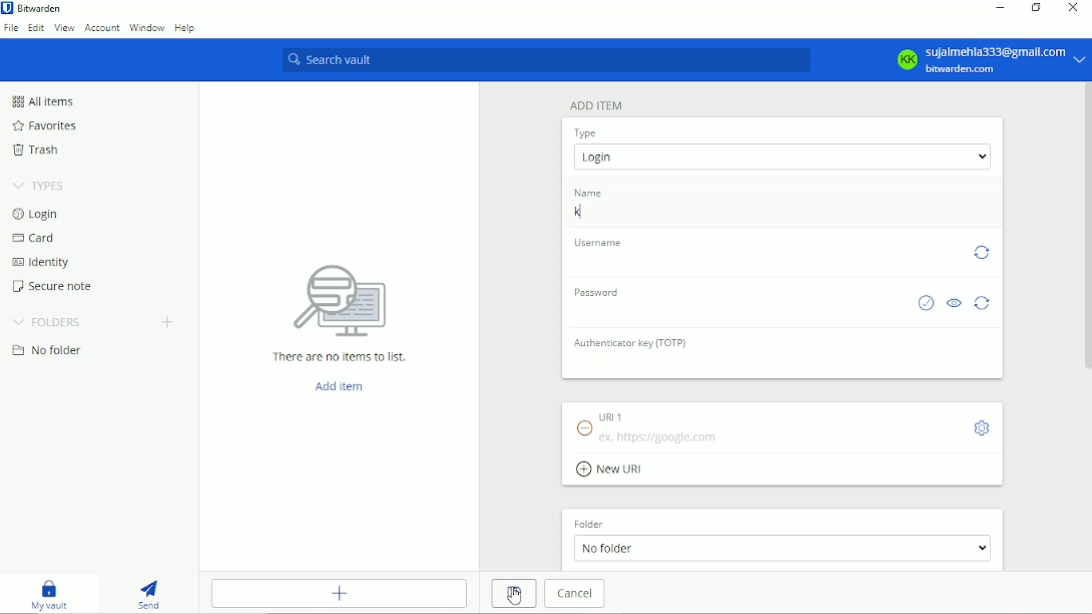  I want to click on Bitwarden, so click(40, 8).